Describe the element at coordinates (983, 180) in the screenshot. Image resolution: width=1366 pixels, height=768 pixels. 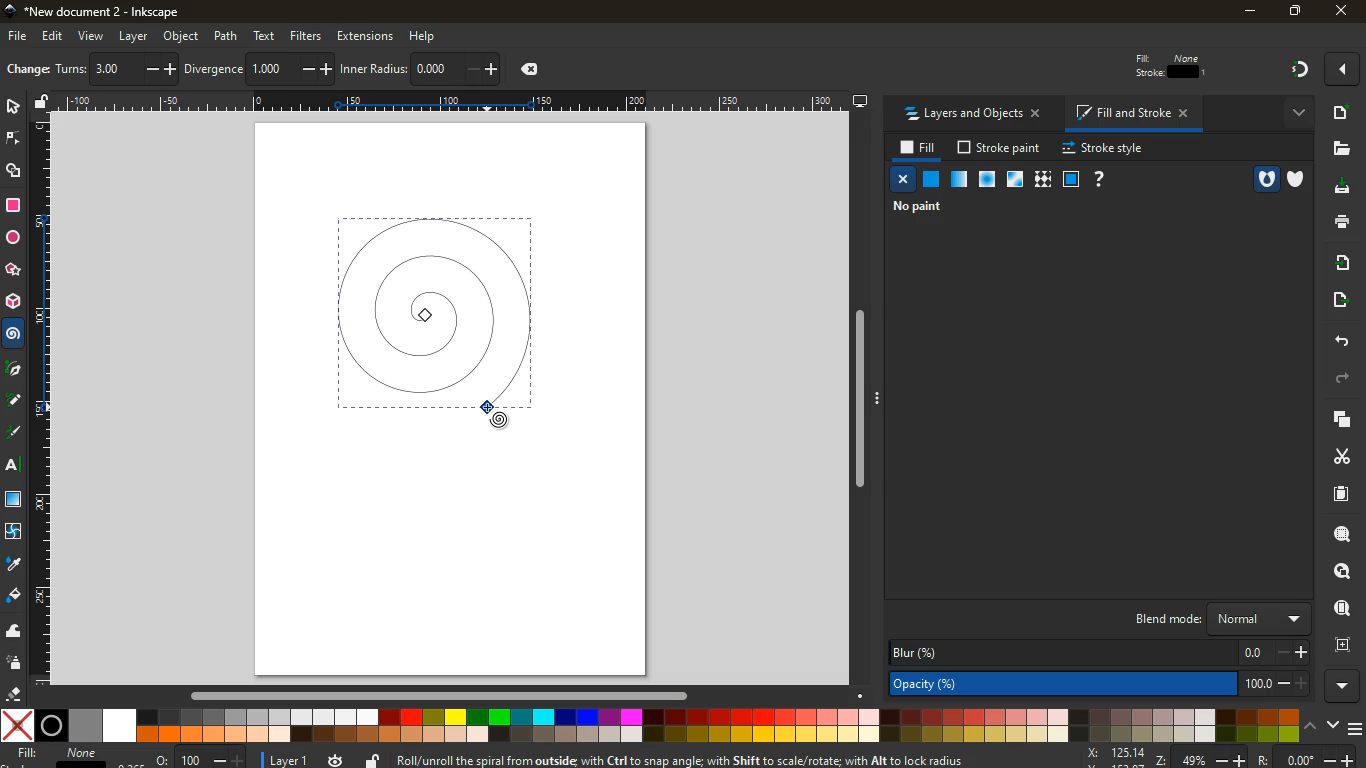
I see `ice` at that location.